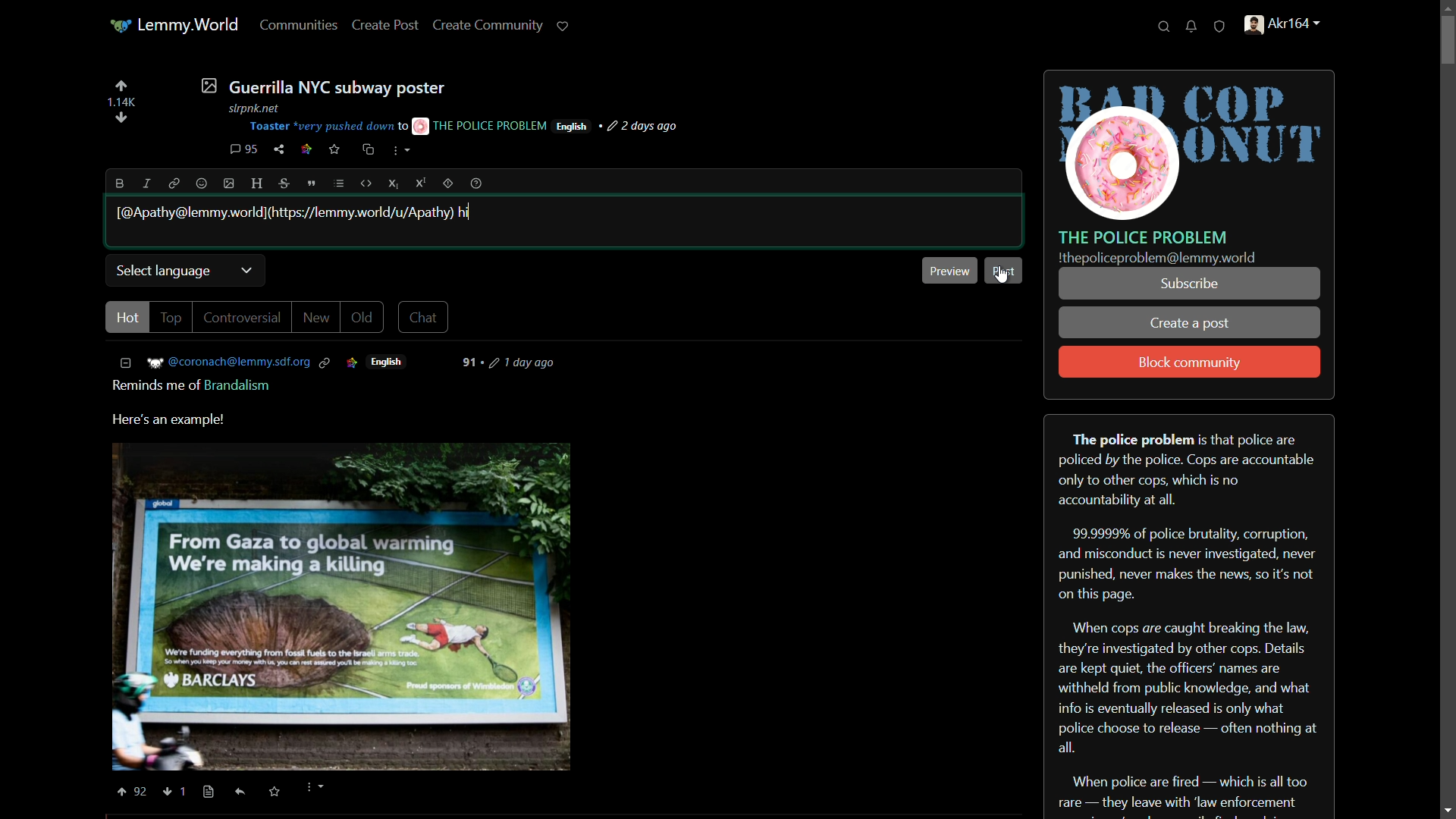  What do you see at coordinates (1188, 284) in the screenshot?
I see `subscribe` at bounding box center [1188, 284].